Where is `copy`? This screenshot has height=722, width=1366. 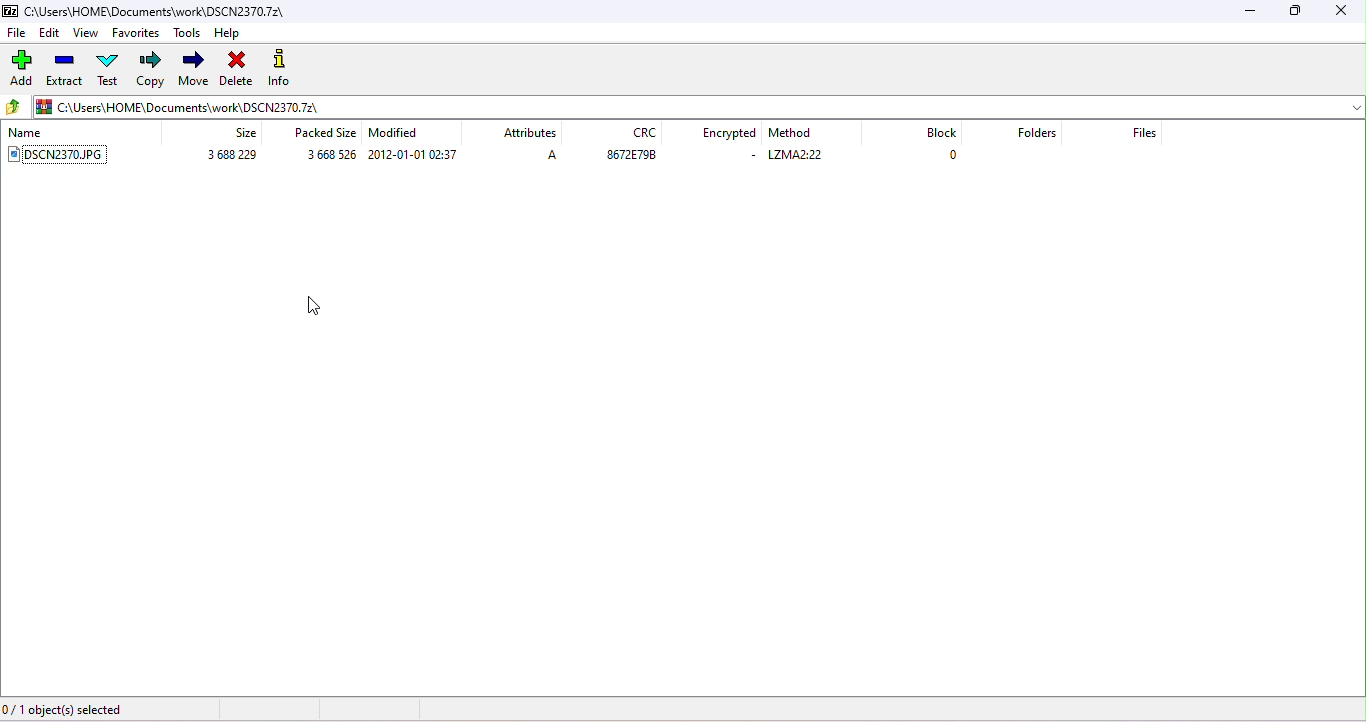
copy is located at coordinates (152, 68).